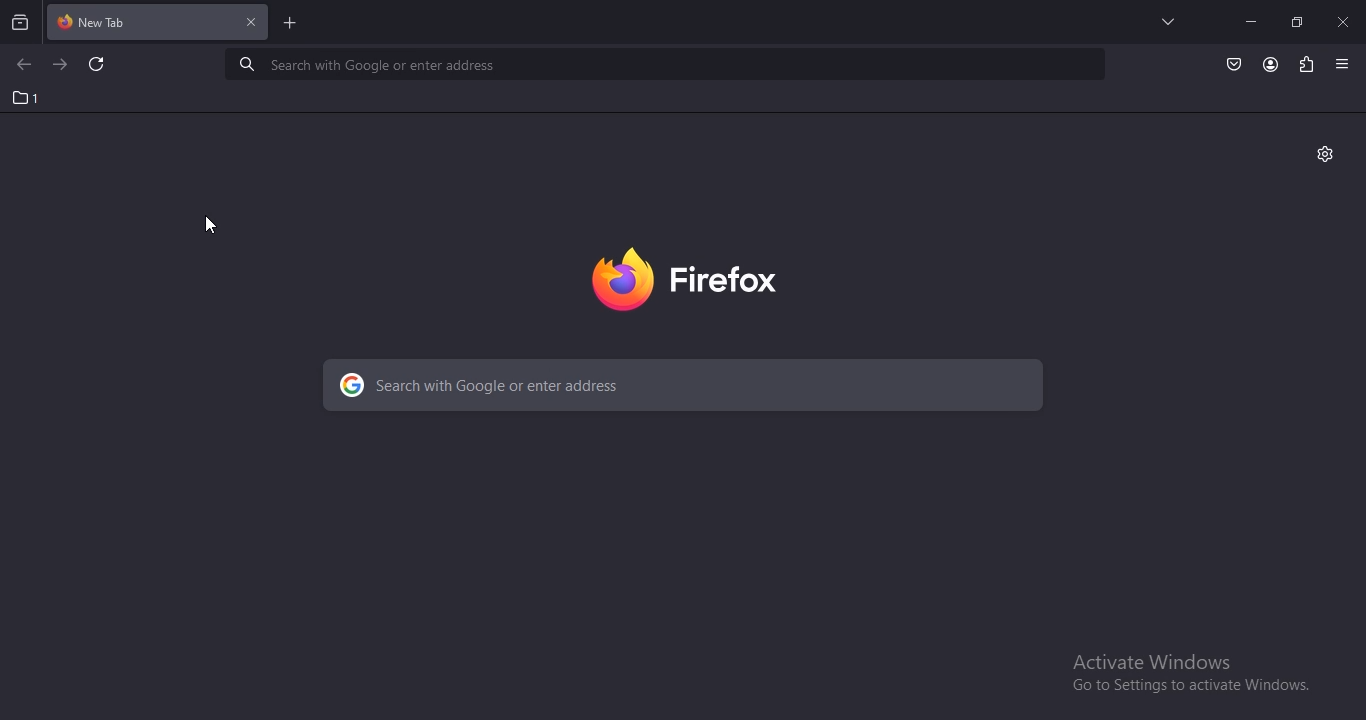  Describe the element at coordinates (61, 63) in the screenshot. I see `click to go to next page` at that location.